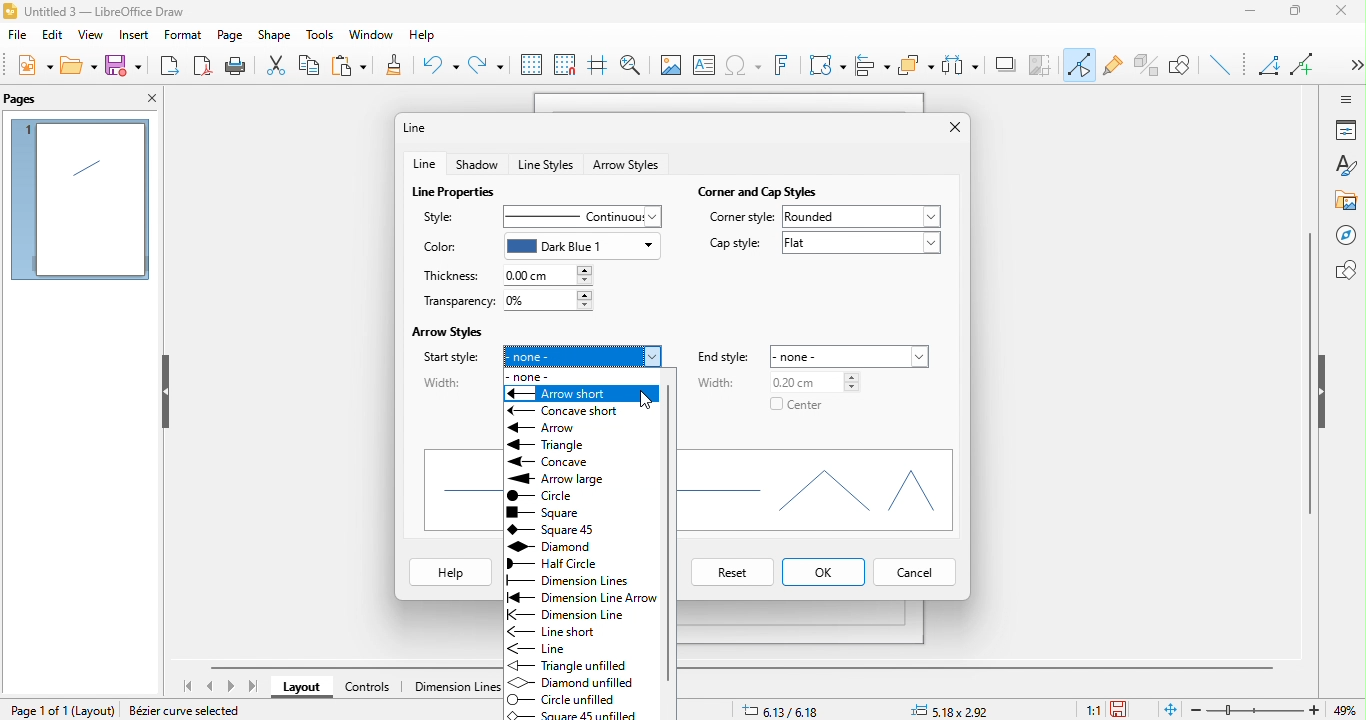  What do you see at coordinates (1345, 270) in the screenshot?
I see `shapes` at bounding box center [1345, 270].